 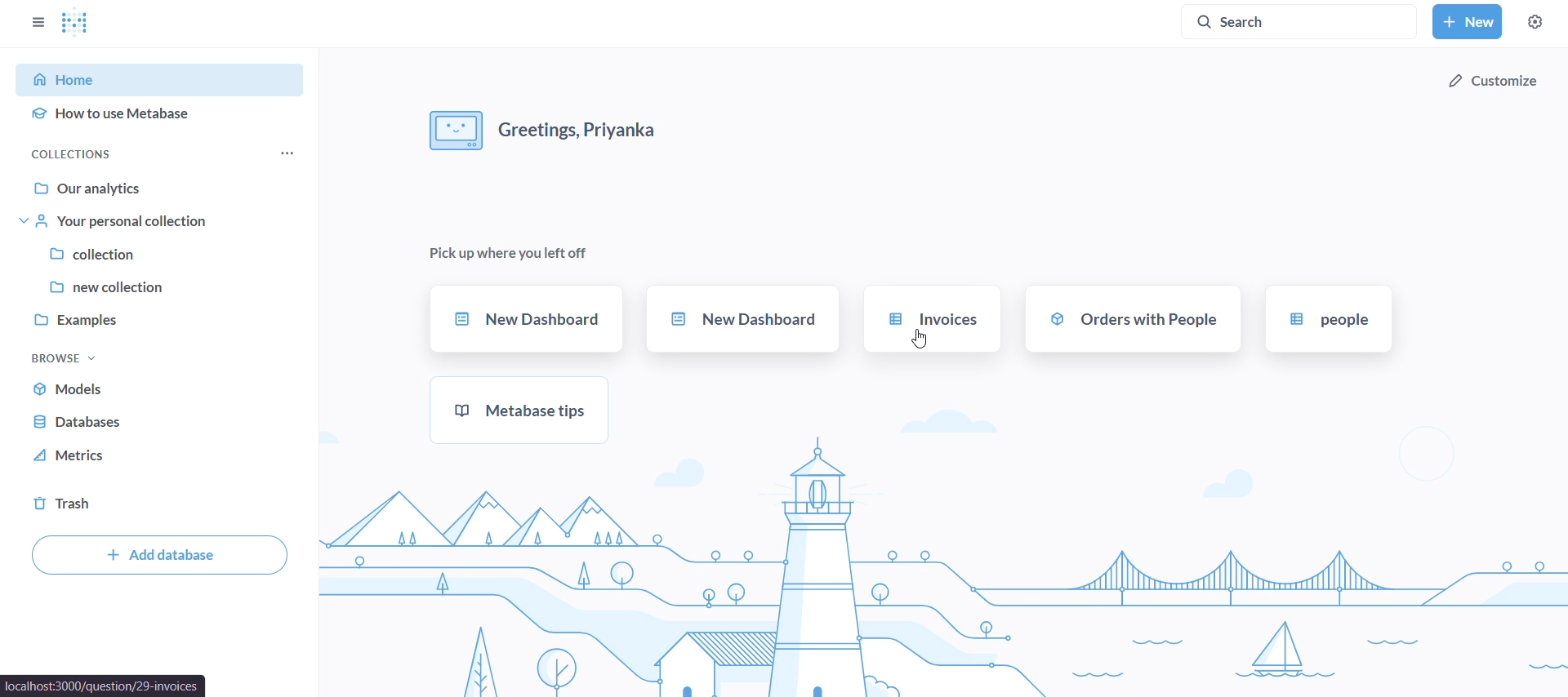 I want to click on collection, so click(x=162, y=254).